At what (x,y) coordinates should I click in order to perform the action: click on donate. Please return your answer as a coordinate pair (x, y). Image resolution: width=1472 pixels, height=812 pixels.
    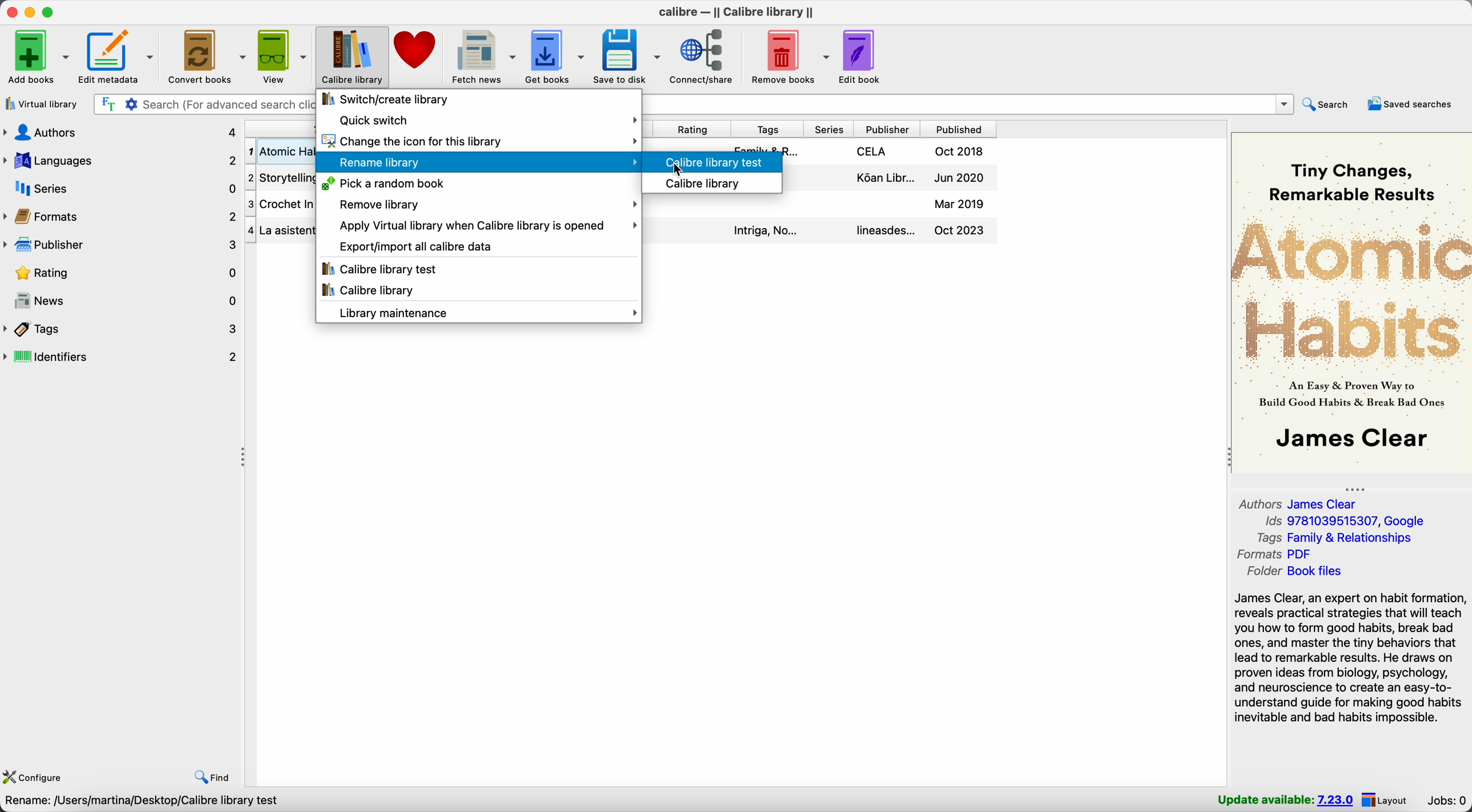
    Looking at the image, I should click on (418, 49).